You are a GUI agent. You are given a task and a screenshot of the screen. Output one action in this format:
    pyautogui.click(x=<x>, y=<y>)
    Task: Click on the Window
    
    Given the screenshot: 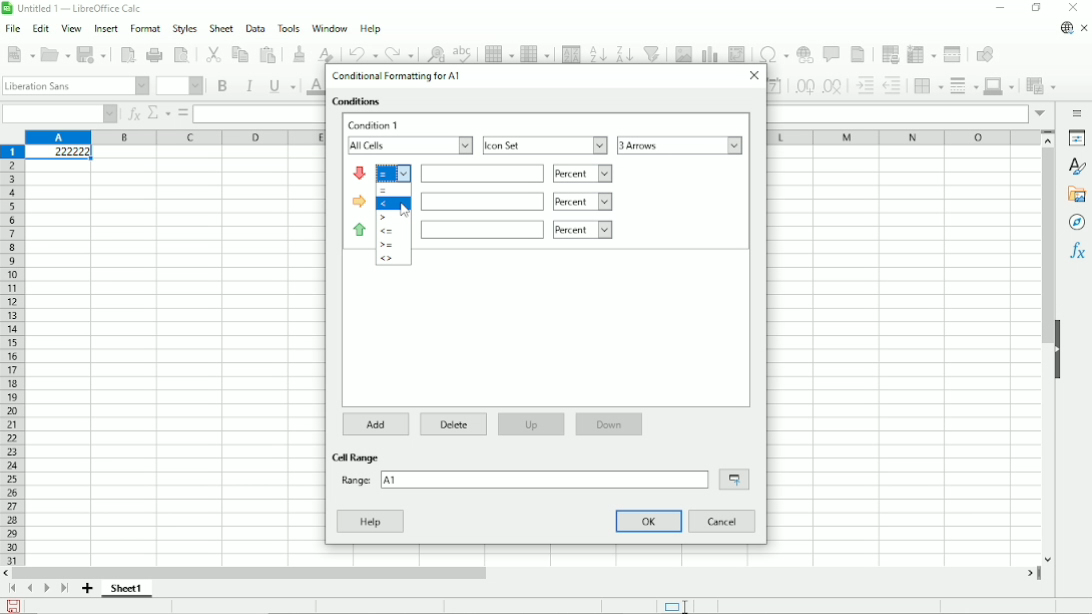 What is the action you would take?
    pyautogui.click(x=329, y=28)
    